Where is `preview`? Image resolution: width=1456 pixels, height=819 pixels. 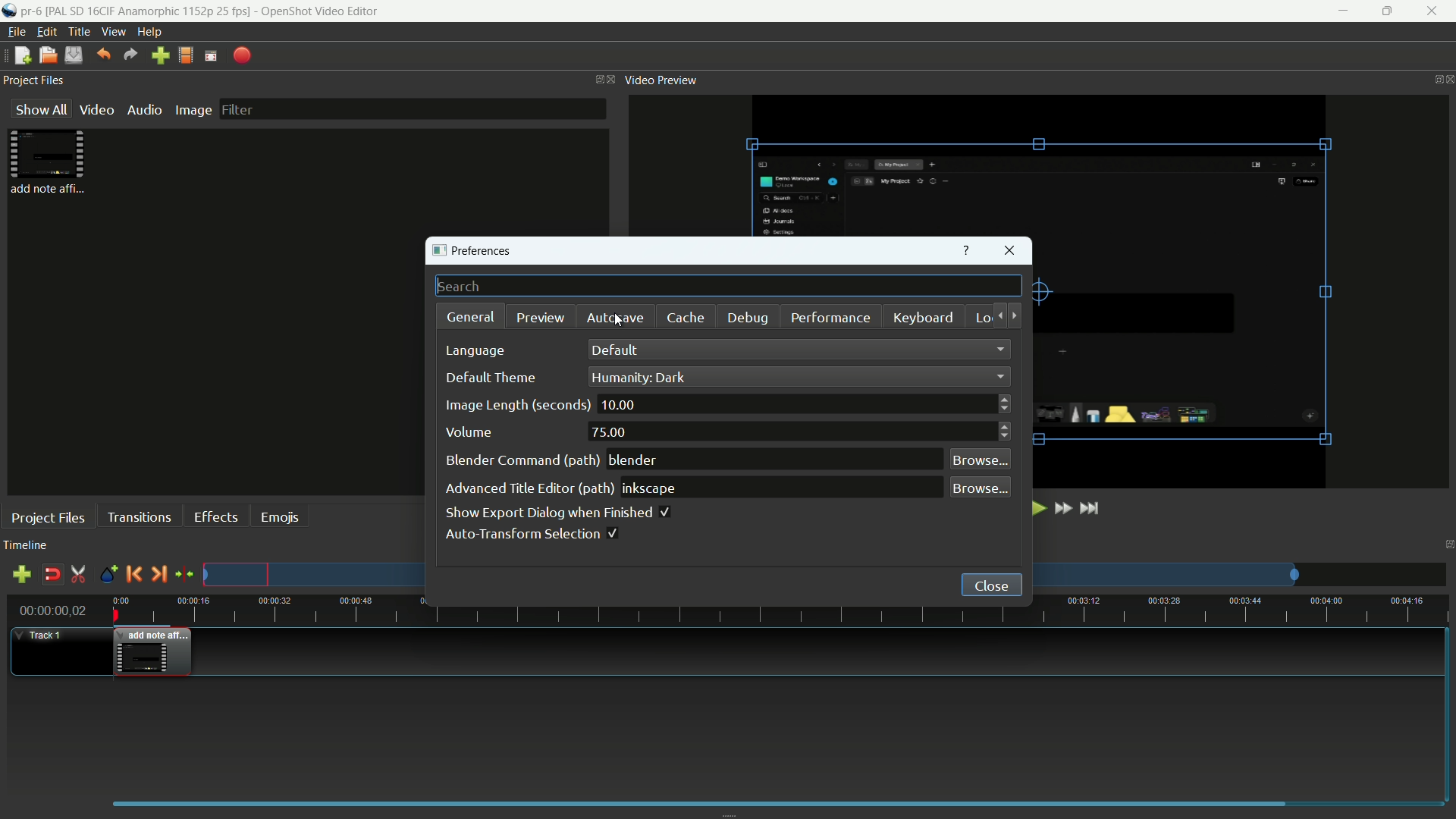
preview is located at coordinates (538, 319).